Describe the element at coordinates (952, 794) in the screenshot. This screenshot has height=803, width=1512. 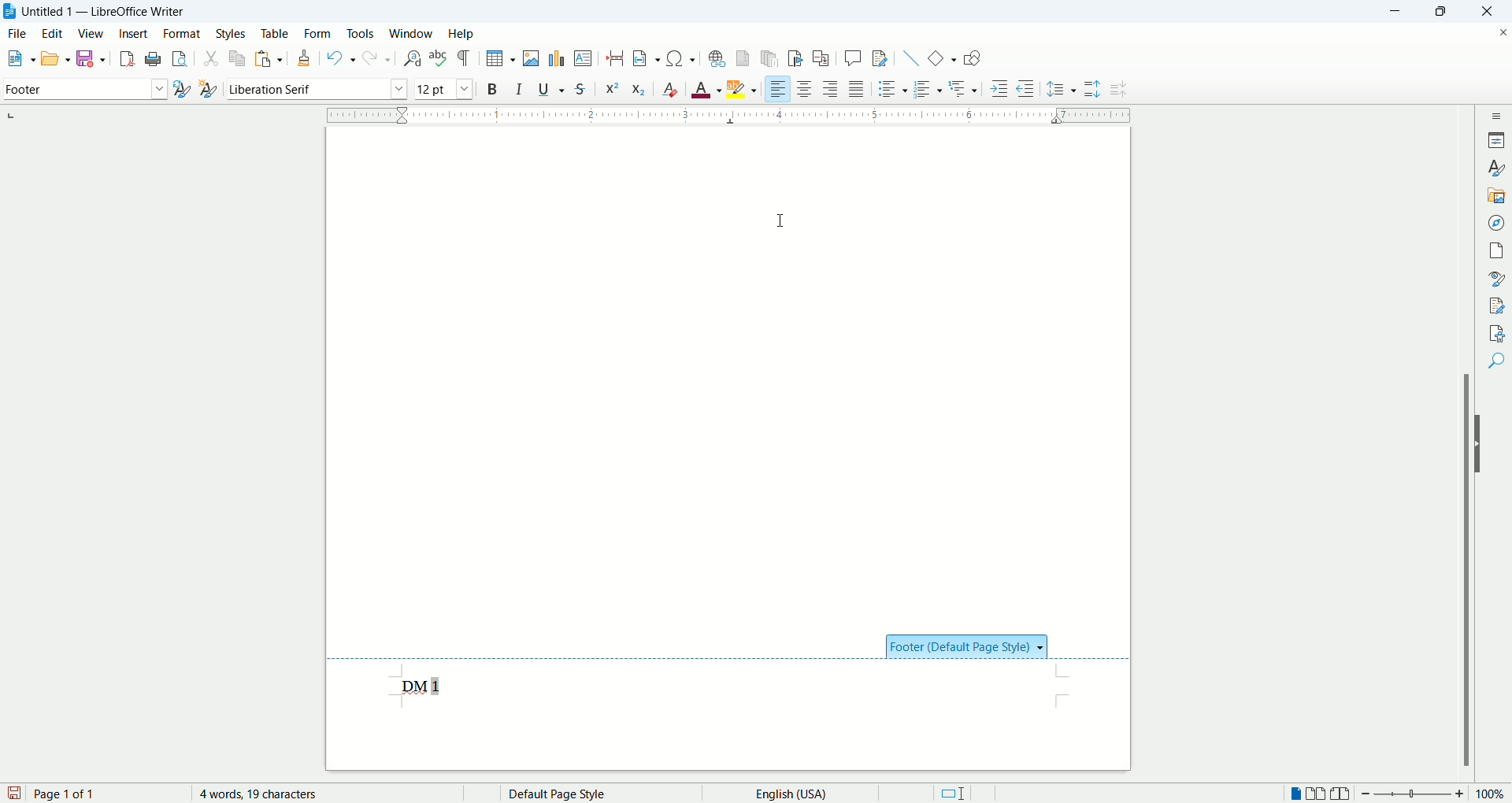
I see `standard selection` at that location.